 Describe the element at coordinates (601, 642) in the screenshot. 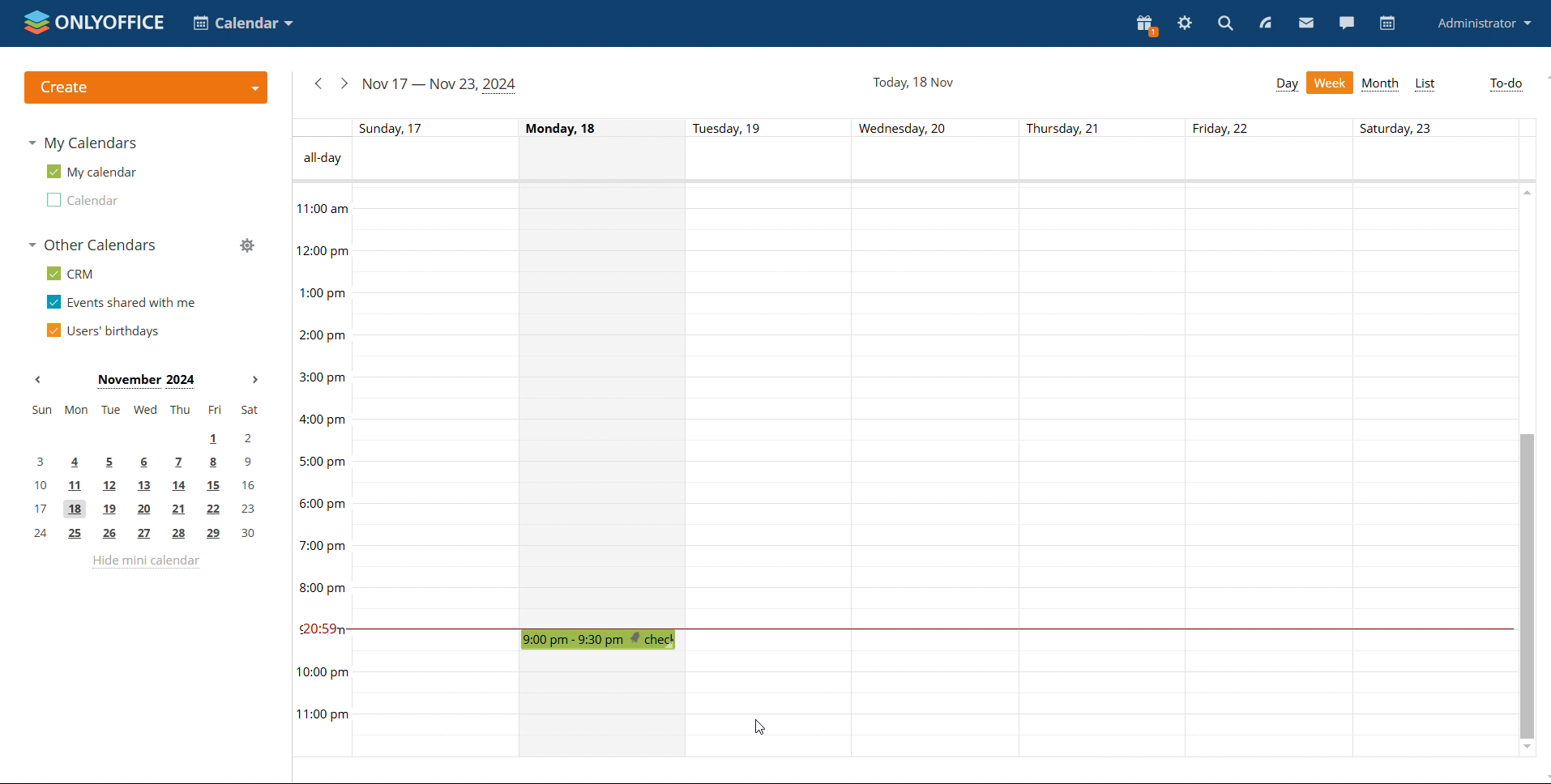

I see `check-in meeting set` at that location.